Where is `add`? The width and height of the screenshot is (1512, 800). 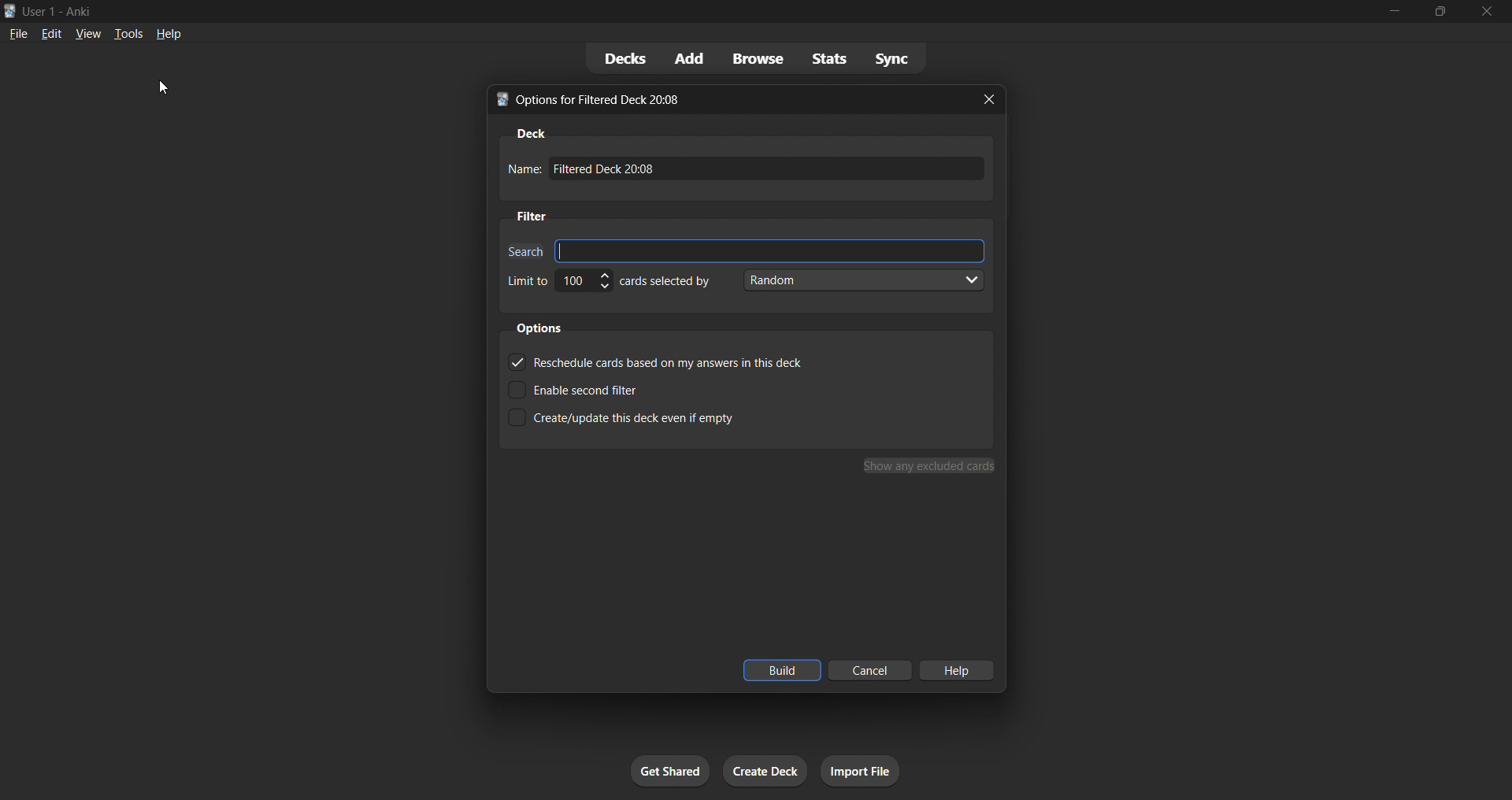
add is located at coordinates (686, 58).